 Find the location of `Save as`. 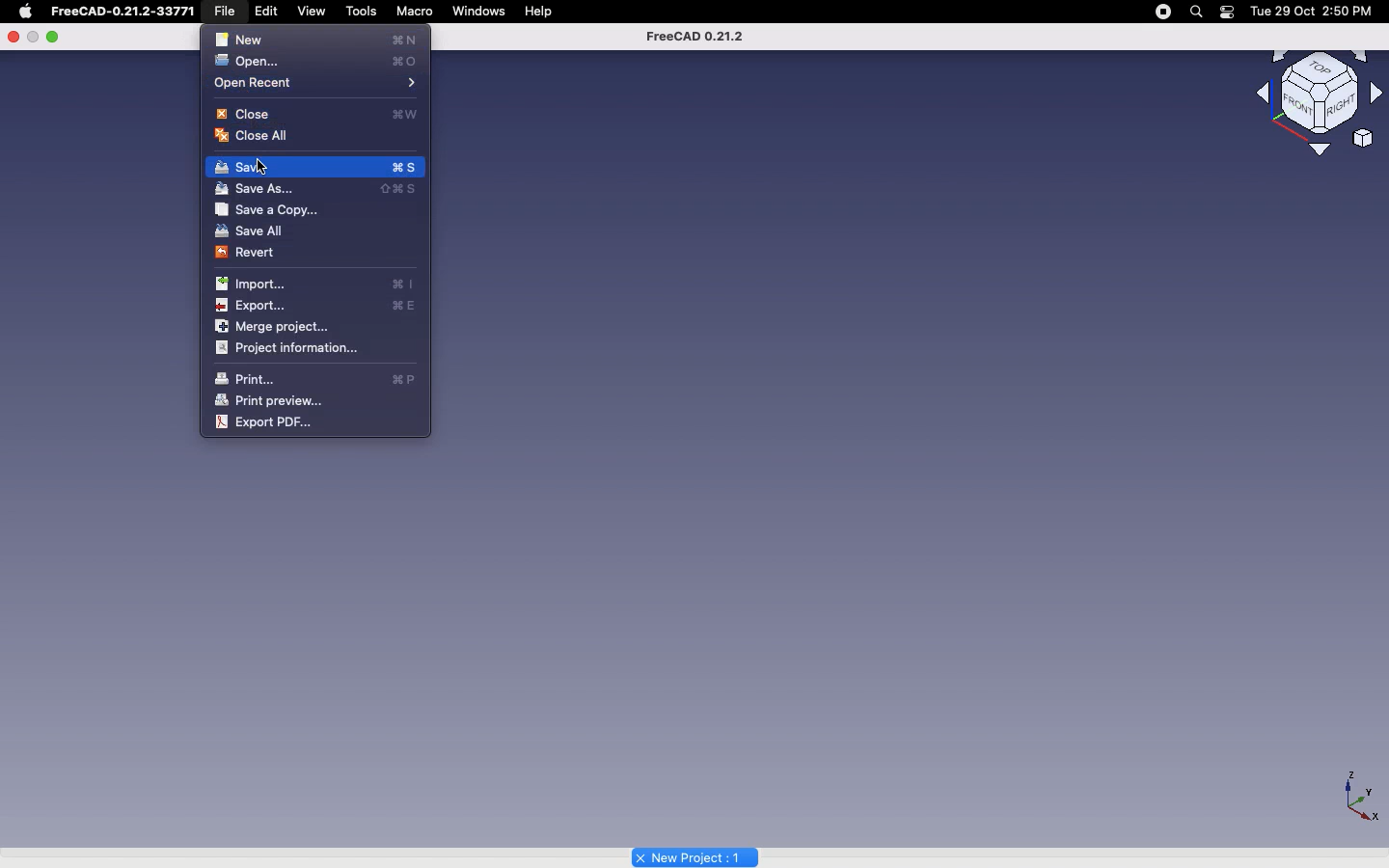

Save as is located at coordinates (319, 187).